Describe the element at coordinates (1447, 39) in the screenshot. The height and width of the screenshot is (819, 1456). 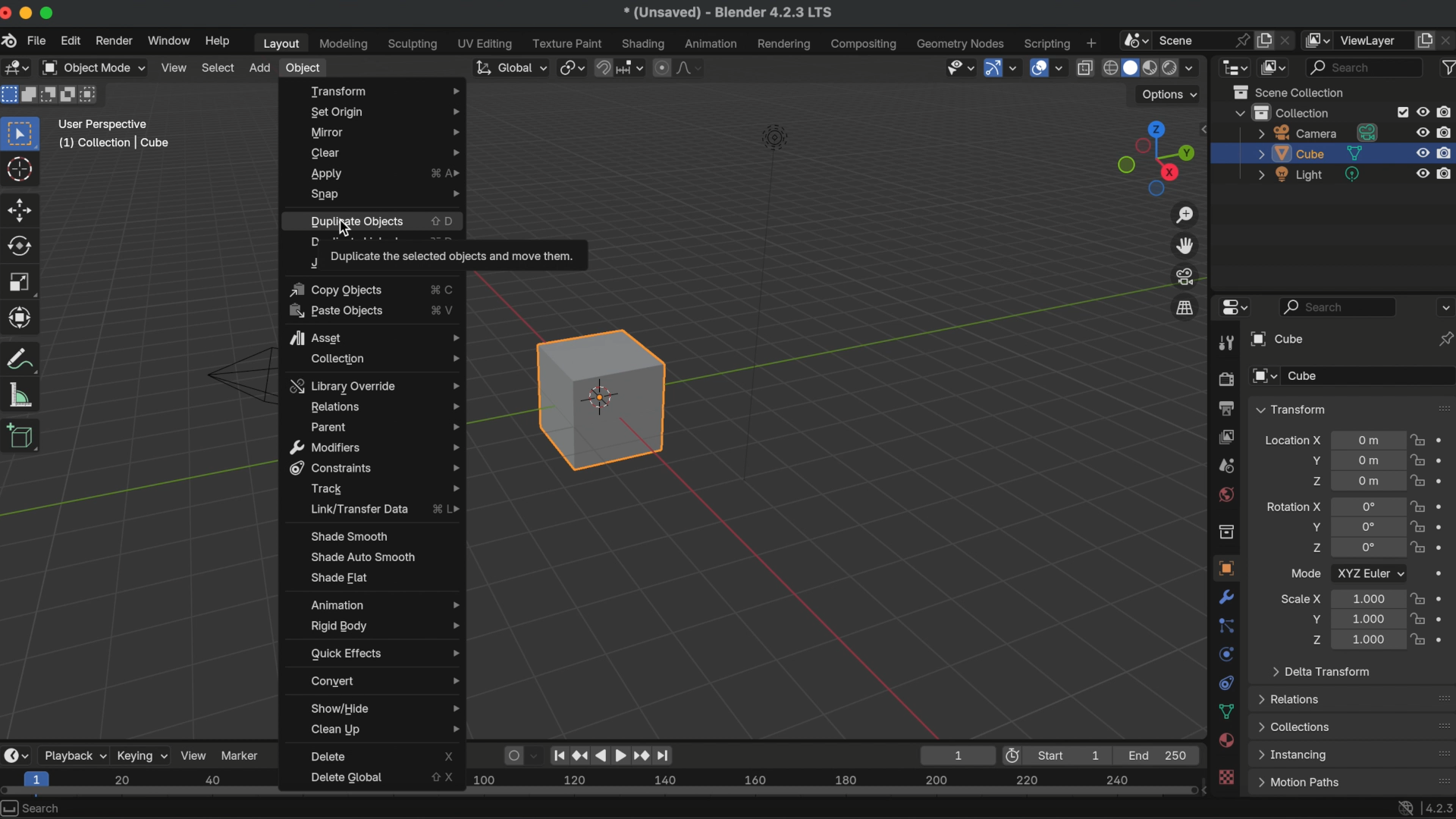
I see `remove view layer` at that location.